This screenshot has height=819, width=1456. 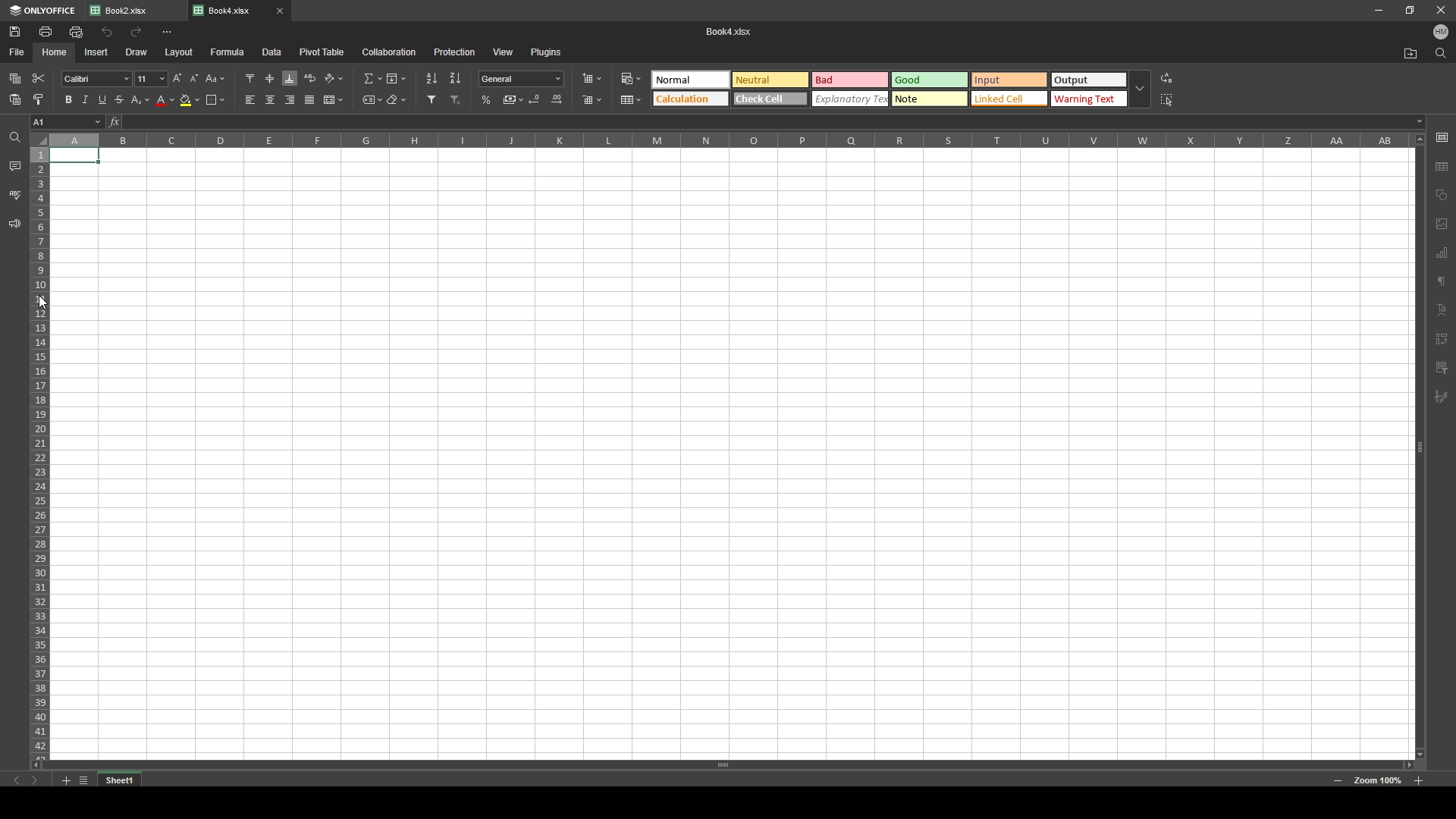 What do you see at coordinates (322, 52) in the screenshot?
I see `pivot table` at bounding box center [322, 52].